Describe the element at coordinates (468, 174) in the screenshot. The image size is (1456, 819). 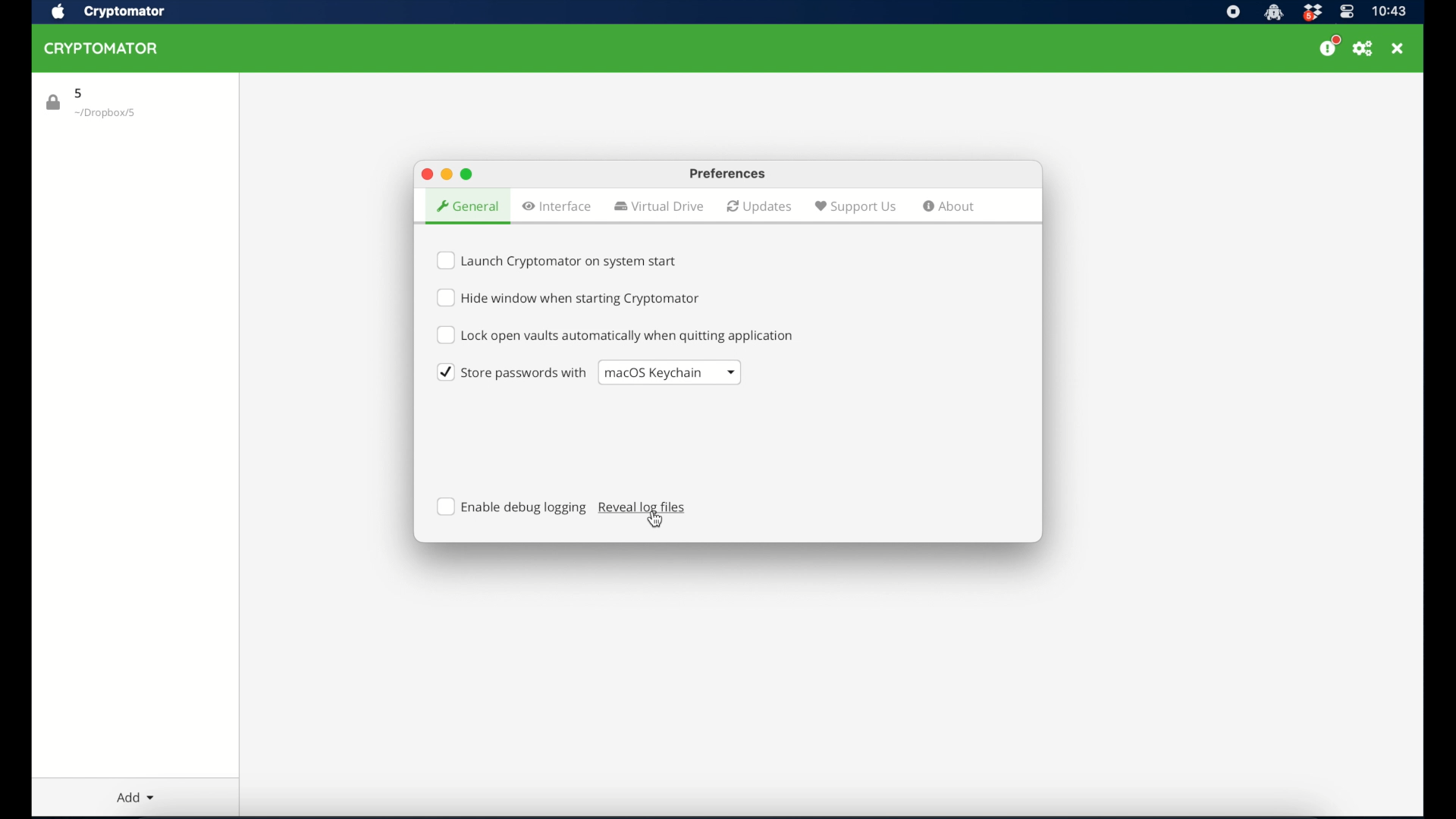
I see `maximize` at that location.